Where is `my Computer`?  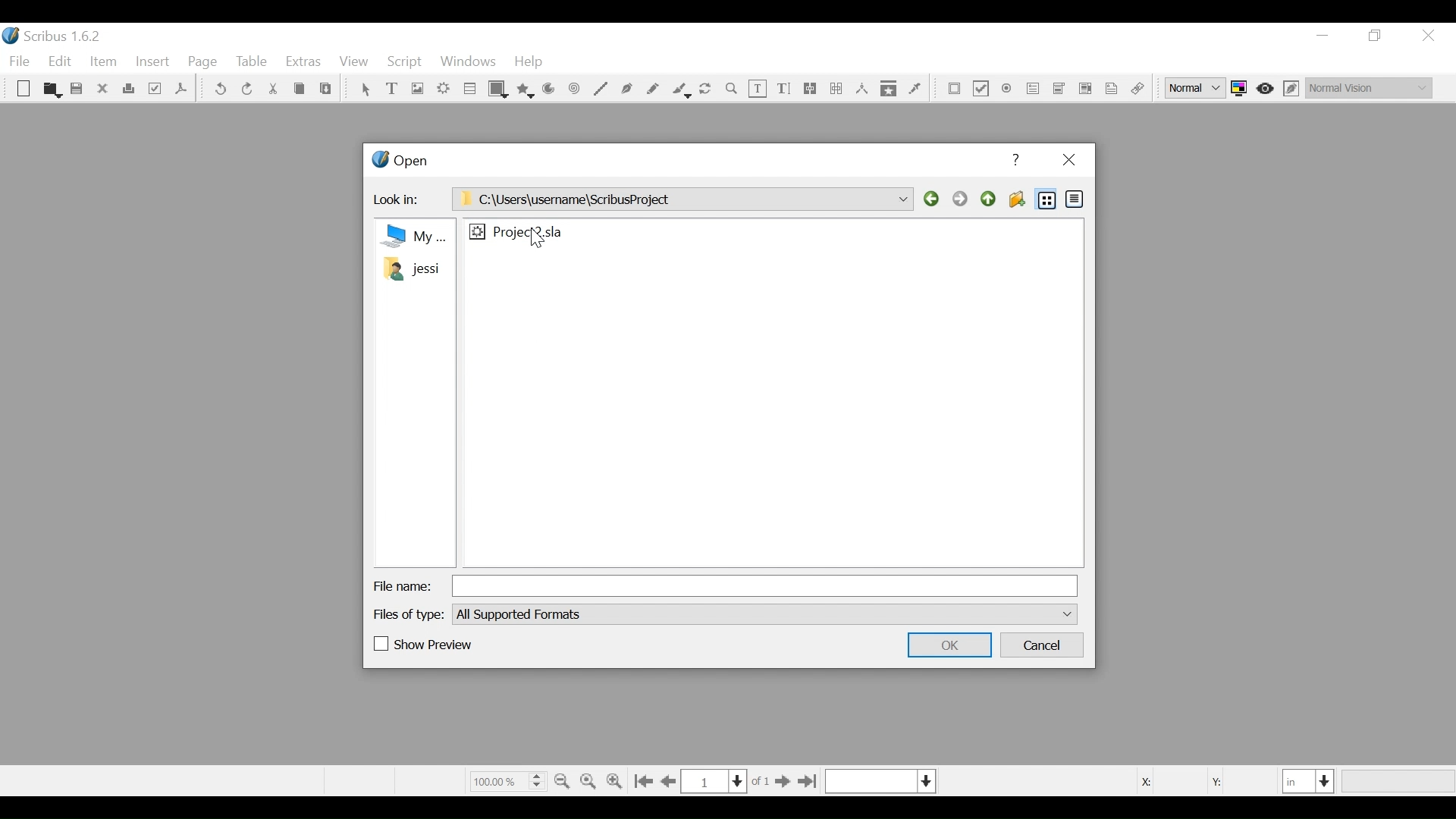
my Computer is located at coordinates (412, 235).